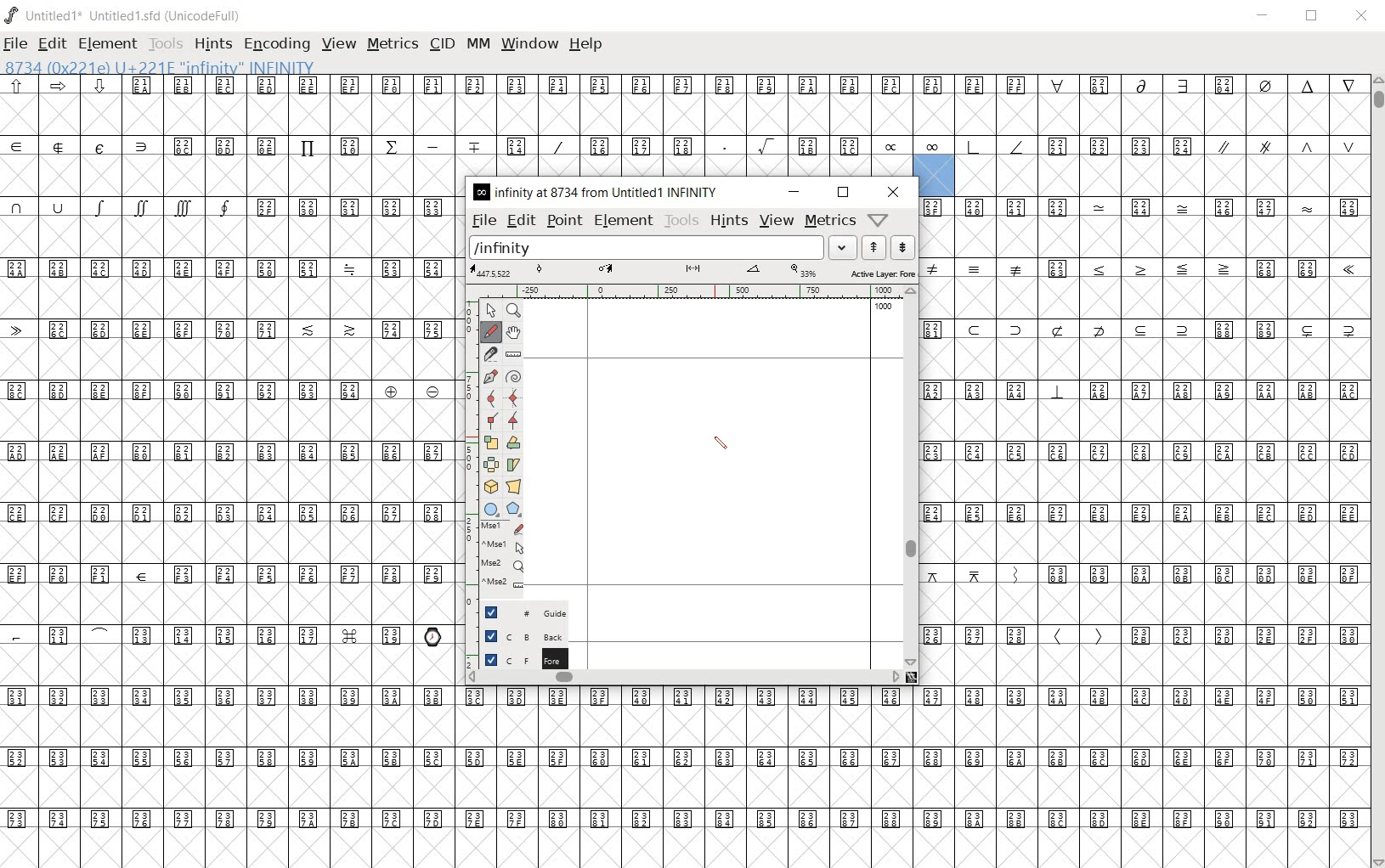 This screenshot has height=868, width=1385. Describe the element at coordinates (1062, 268) in the screenshot. I see `Unicode code points` at that location.